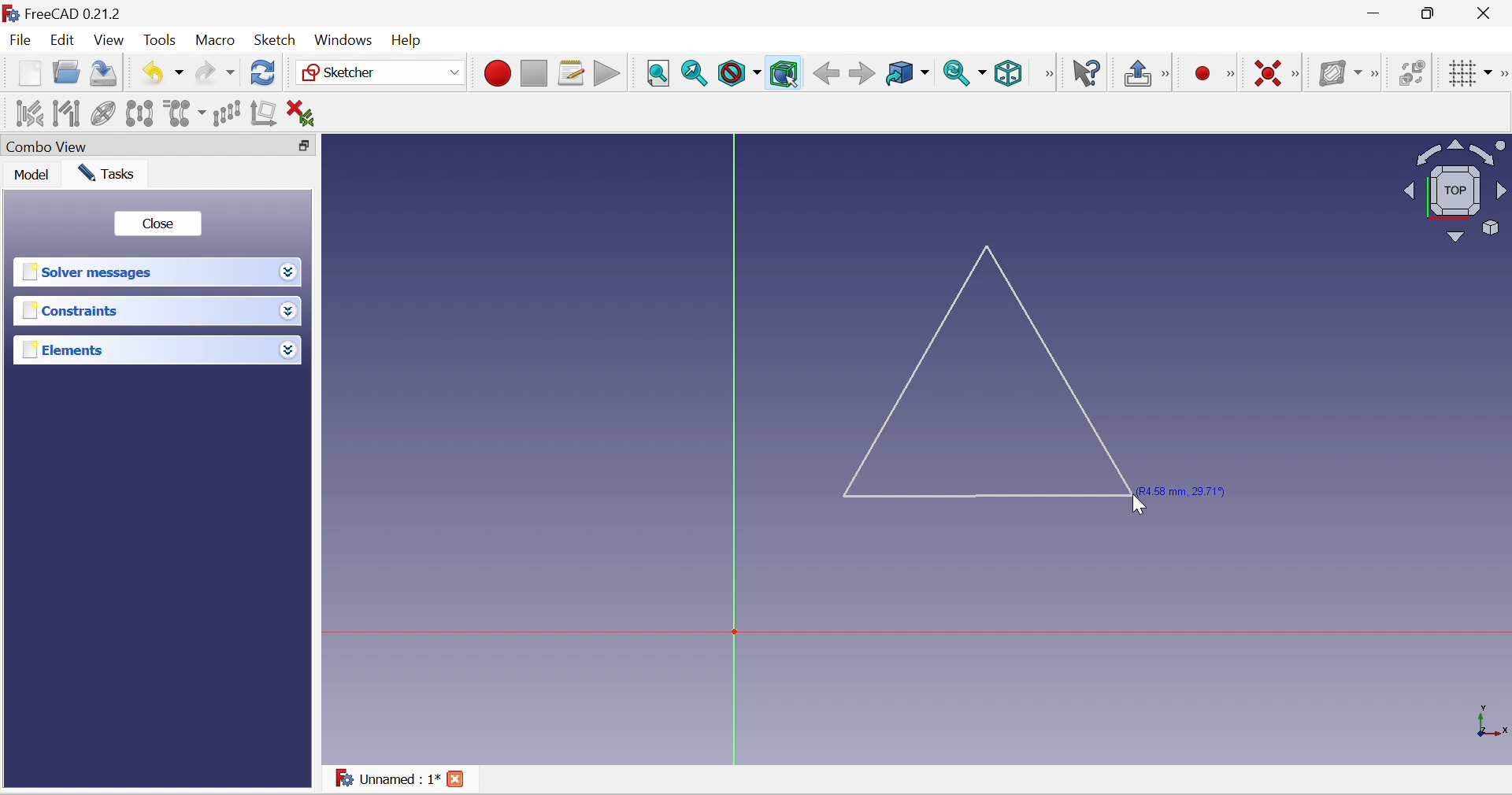 This screenshot has height=795, width=1512. I want to click on Elements, so click(144, 349).